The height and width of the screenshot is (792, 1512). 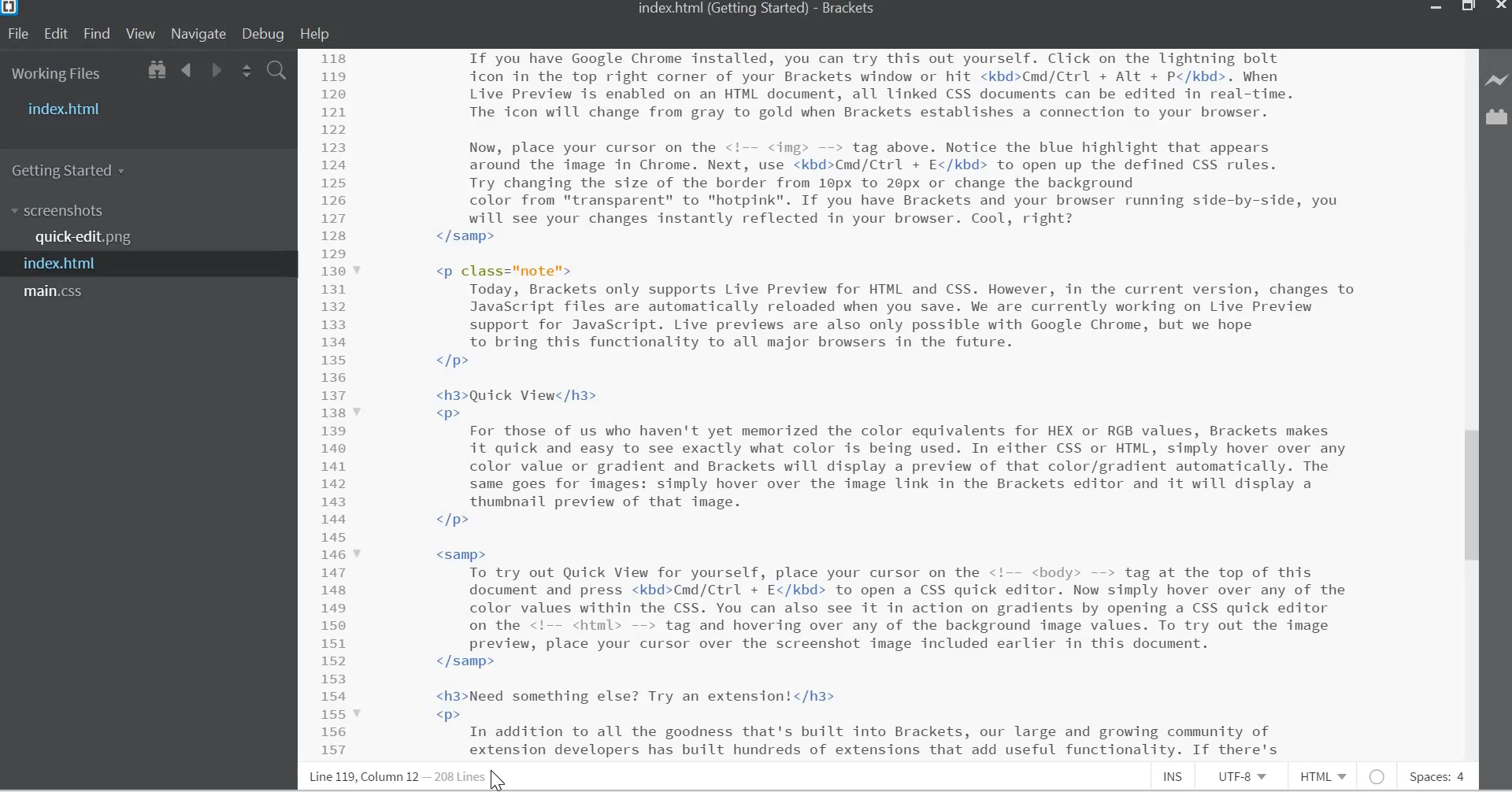 What do you see at coordinates (55, 293) in the screenshot?
I see `main.css` at bounding box center [55, 293].